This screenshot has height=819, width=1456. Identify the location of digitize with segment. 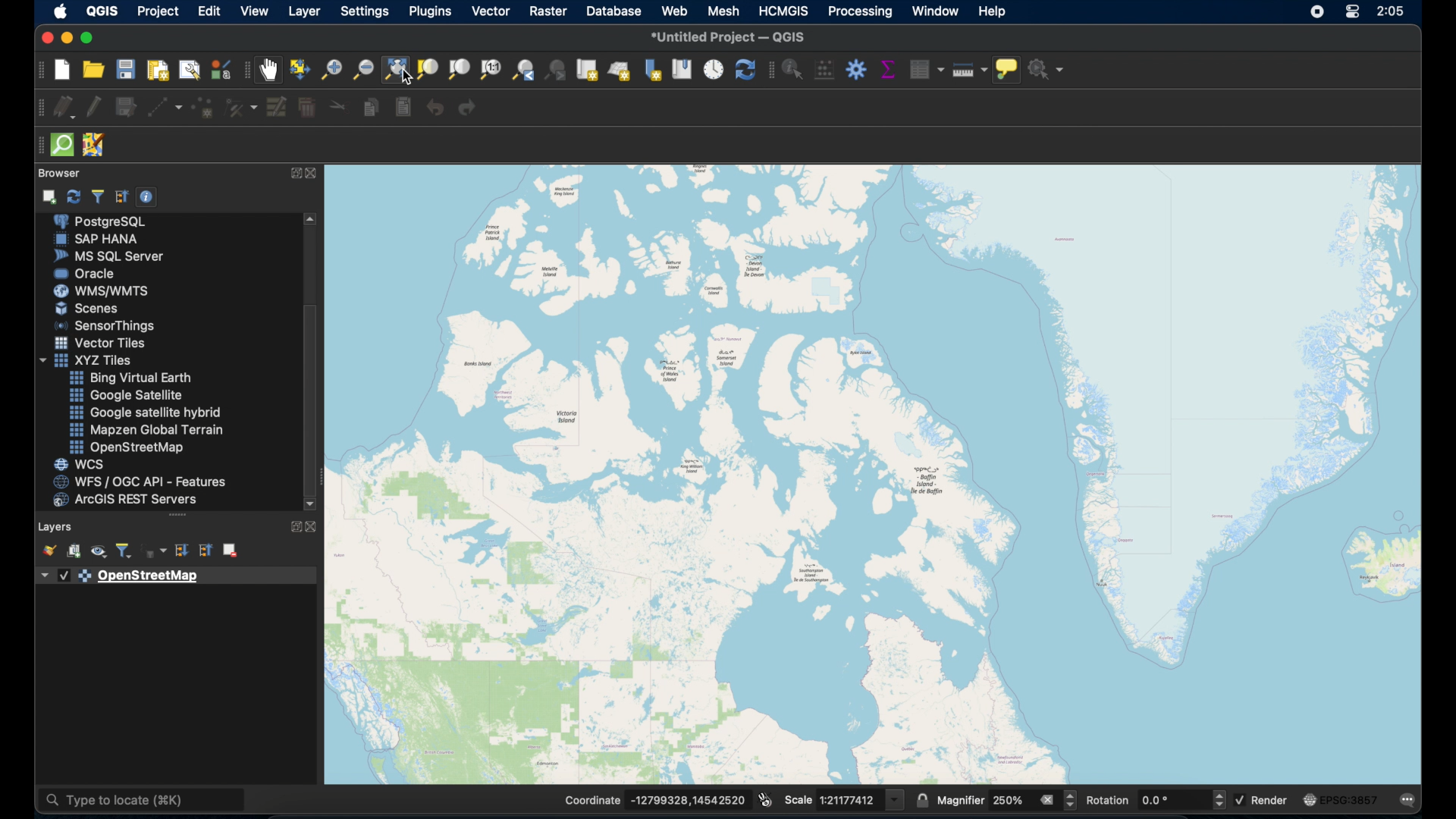
(163, 108).